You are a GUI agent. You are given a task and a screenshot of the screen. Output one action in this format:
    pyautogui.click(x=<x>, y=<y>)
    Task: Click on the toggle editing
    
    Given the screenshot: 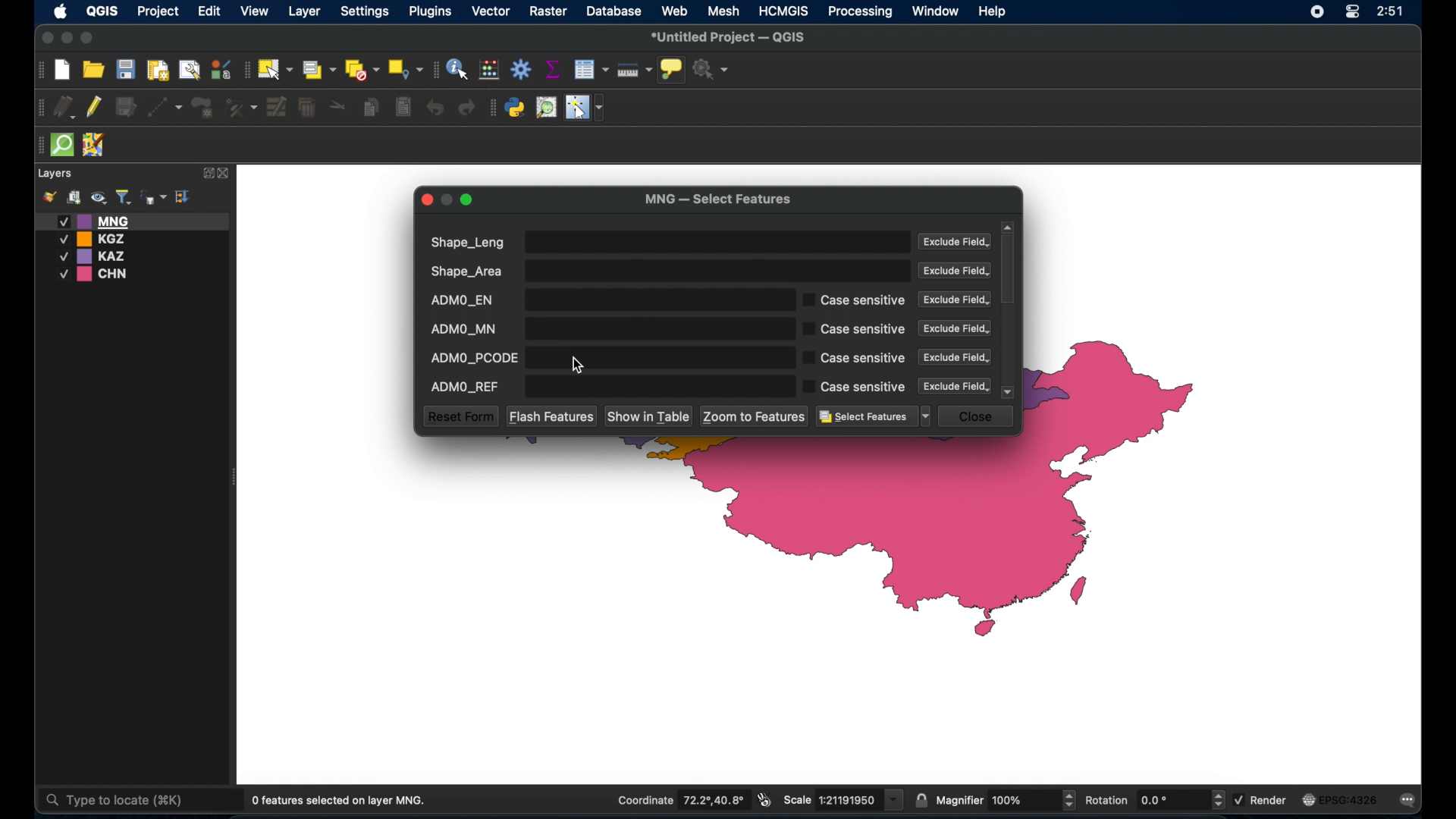 What is the action you would take?
    pyautogui.click(x=96, y=108)
    